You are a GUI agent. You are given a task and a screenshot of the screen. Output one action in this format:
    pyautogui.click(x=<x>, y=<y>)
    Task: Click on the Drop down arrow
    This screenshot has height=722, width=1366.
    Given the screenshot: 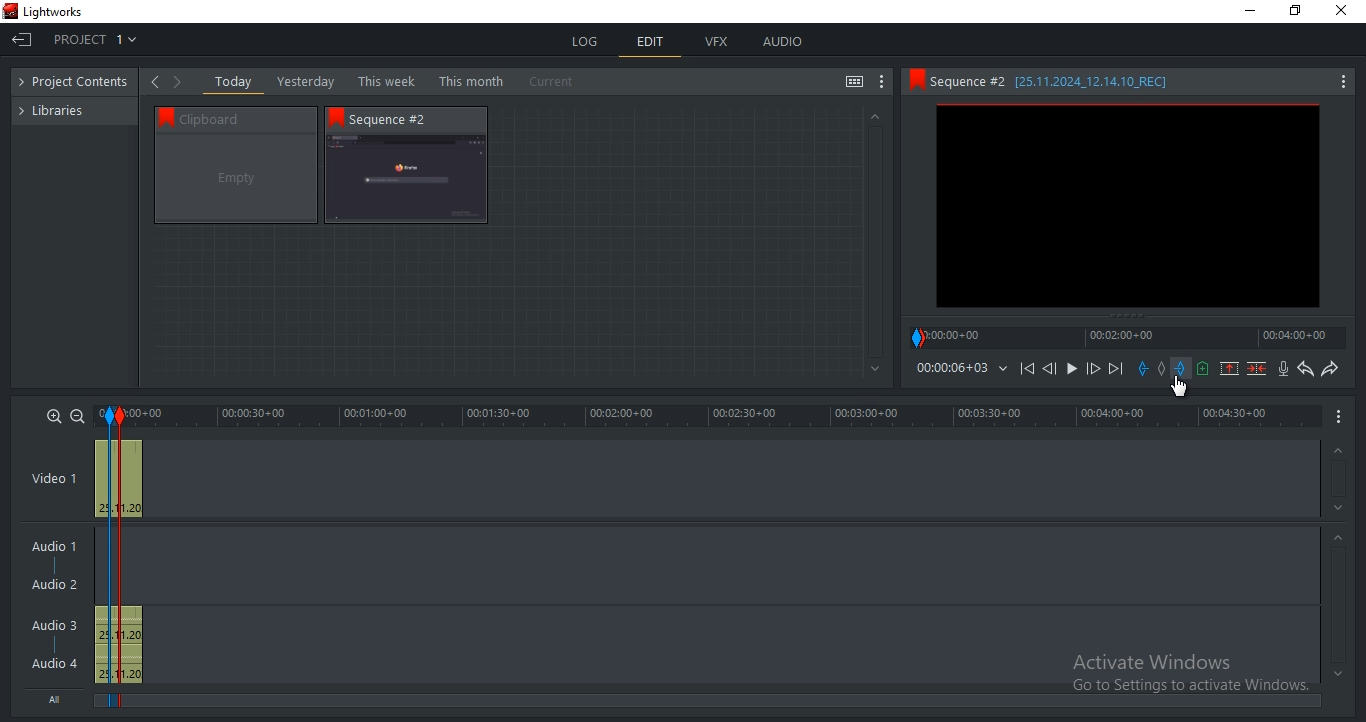 What is the action you would take?
    pyautogui.click(x=1003, y=369)
    